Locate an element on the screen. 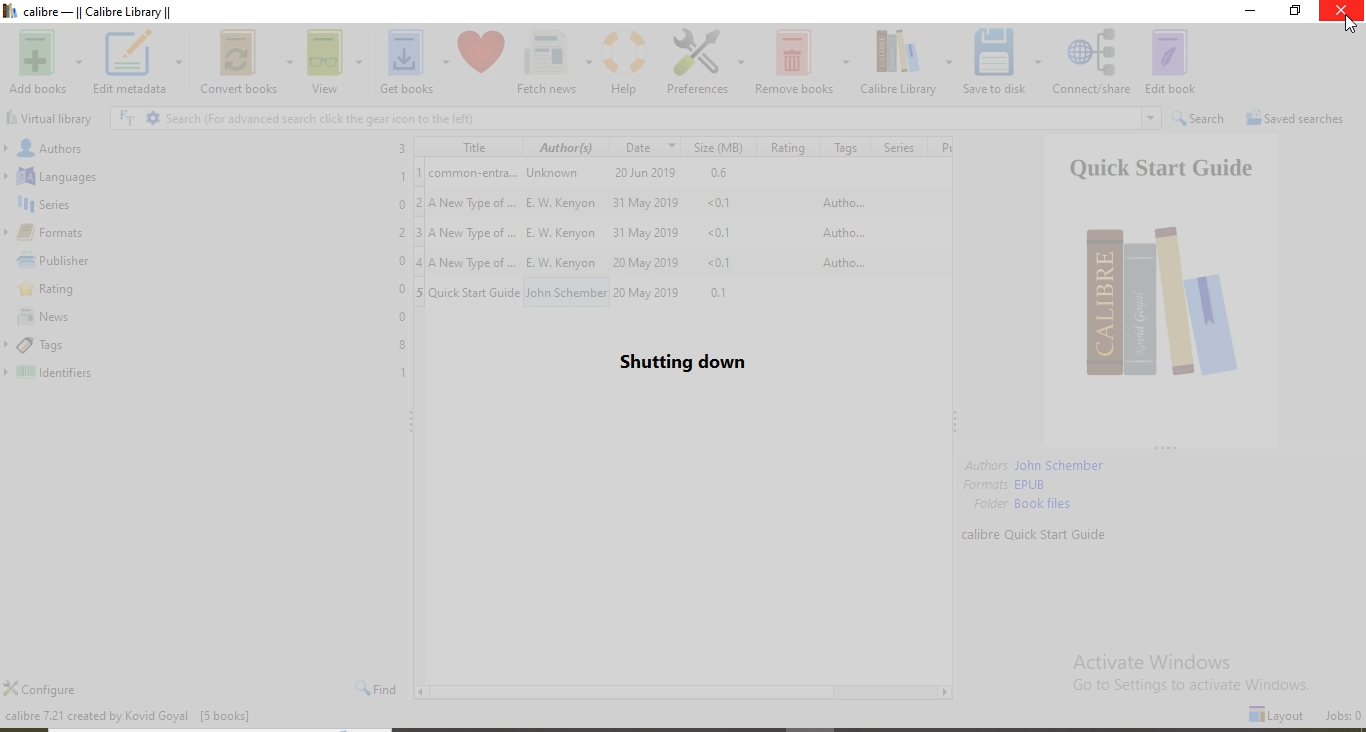 Image resolution: width=1366 pixels, height=732 pixels. Quick Start Guide is located at coordinates (476, 292).